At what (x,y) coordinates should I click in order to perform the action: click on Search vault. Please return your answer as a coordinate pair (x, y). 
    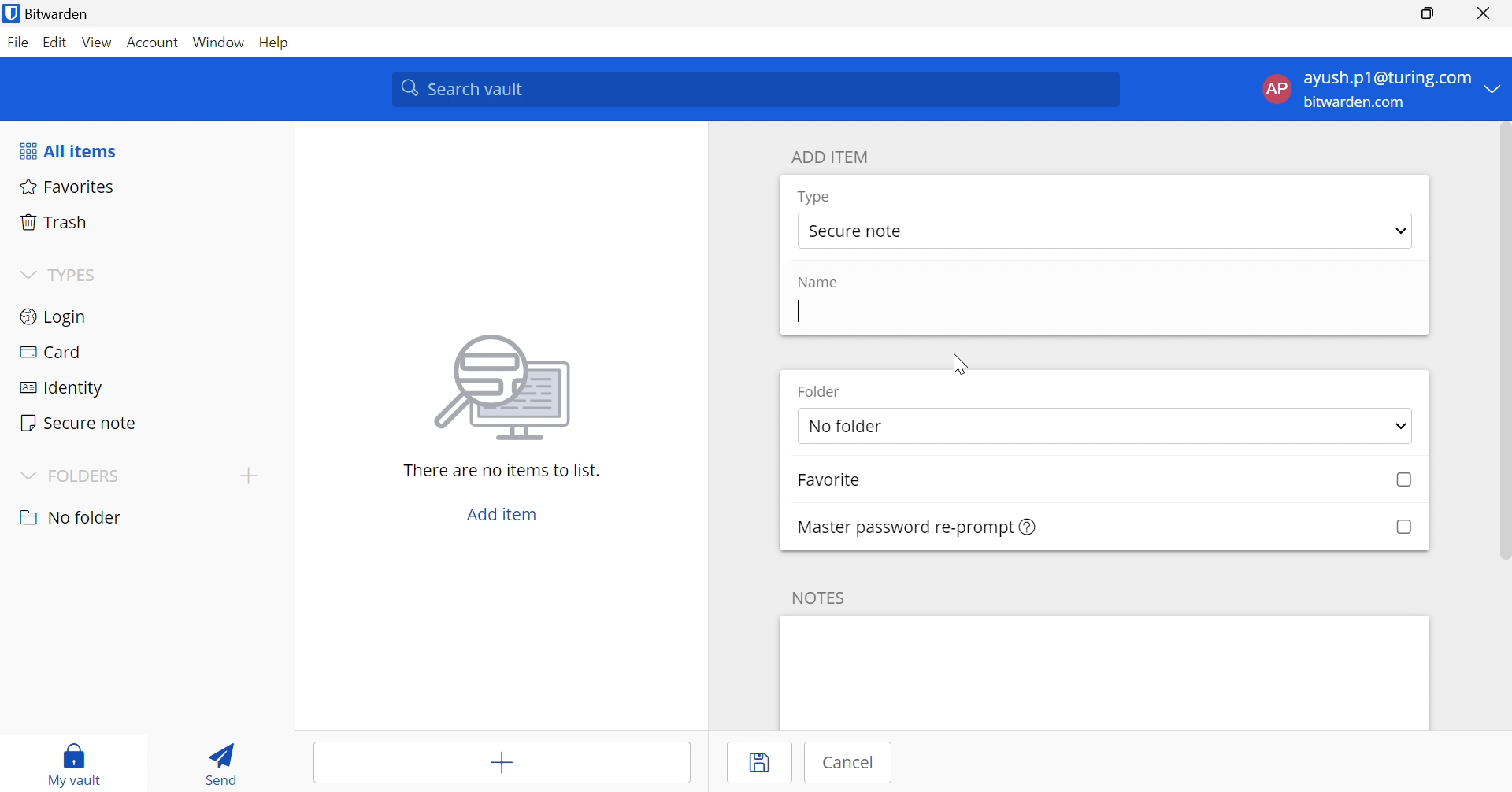
    Looking at the image, I should click on (754, 89).